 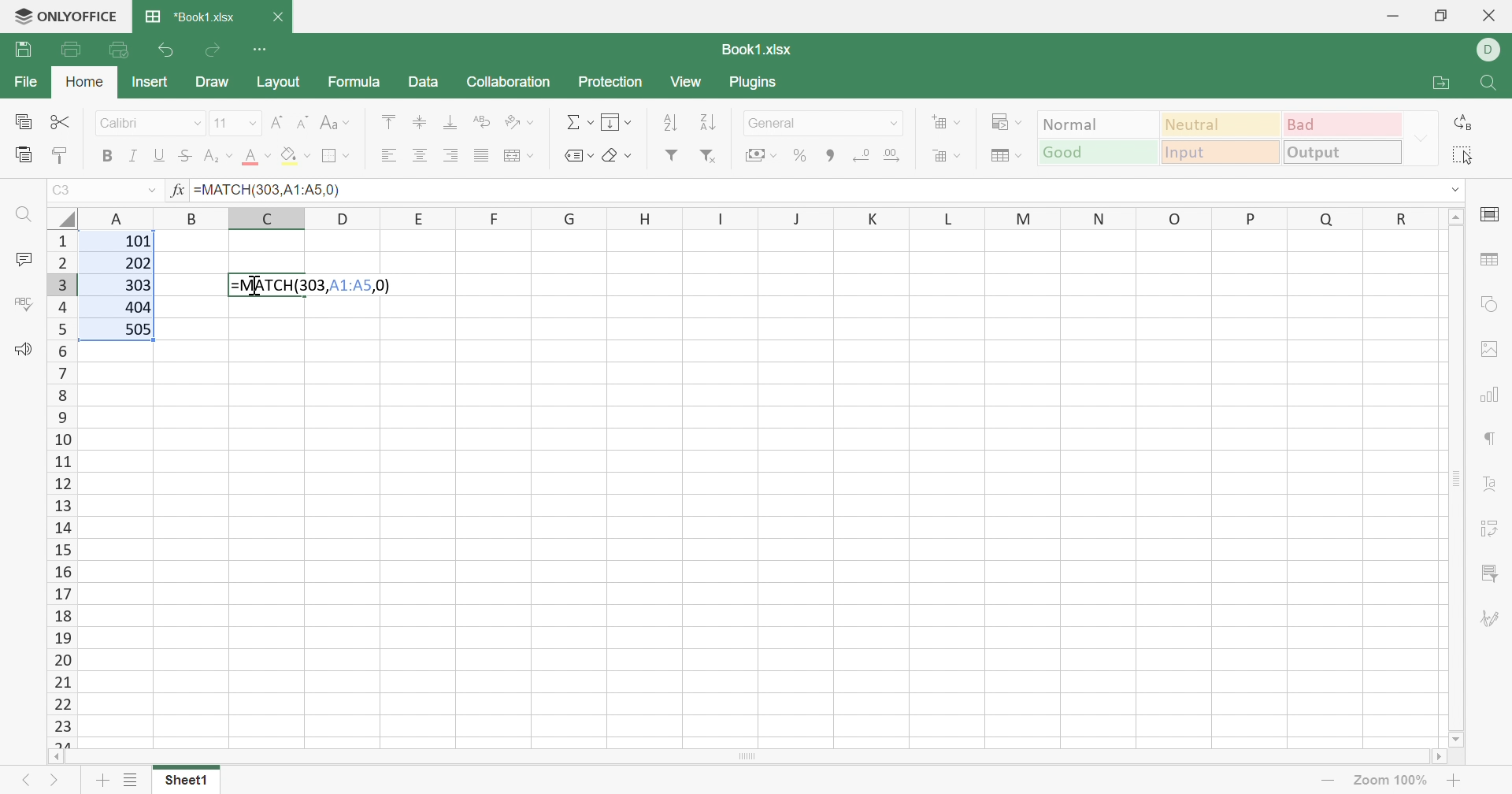 What do you see at coordinates (1421, 138) in the screenshot?
I see `Drop Down` at bounding box center [1421, 138].